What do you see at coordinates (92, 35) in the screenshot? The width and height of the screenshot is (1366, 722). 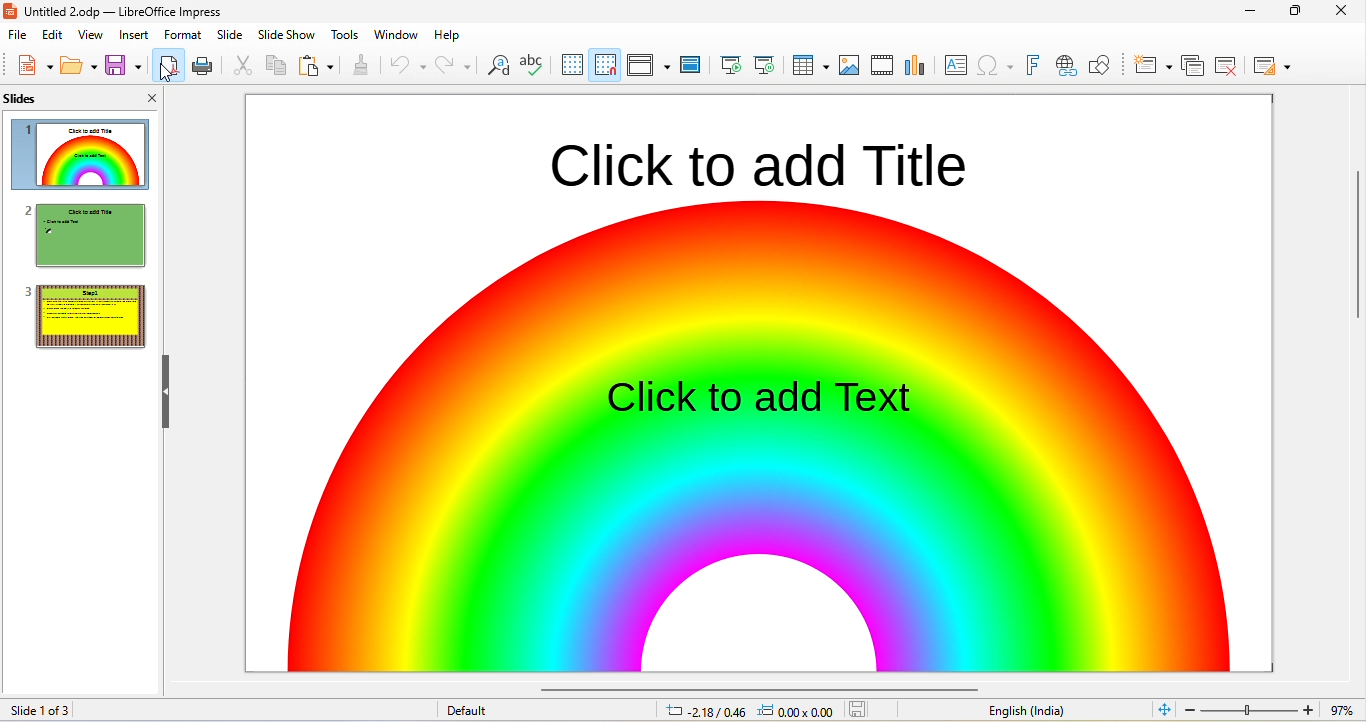 I see `view` at bounding box center [92, 35].